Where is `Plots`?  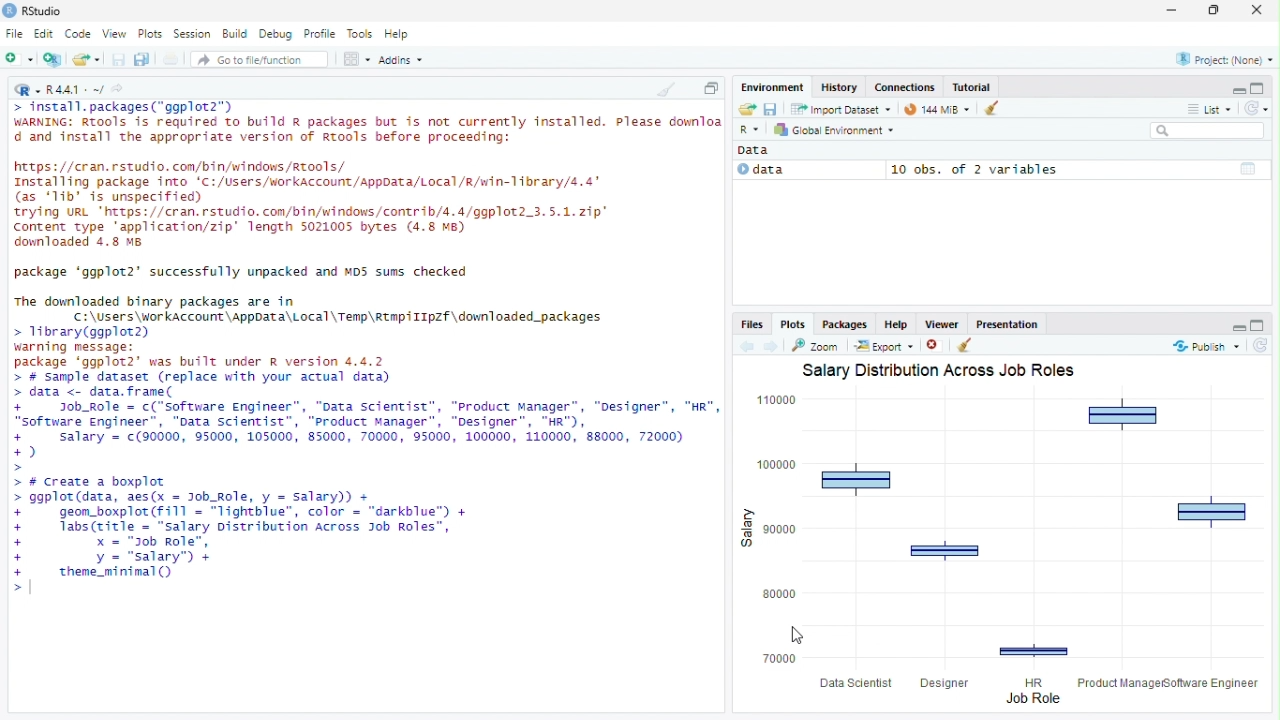
Plots is located at coordinates (150, 34).